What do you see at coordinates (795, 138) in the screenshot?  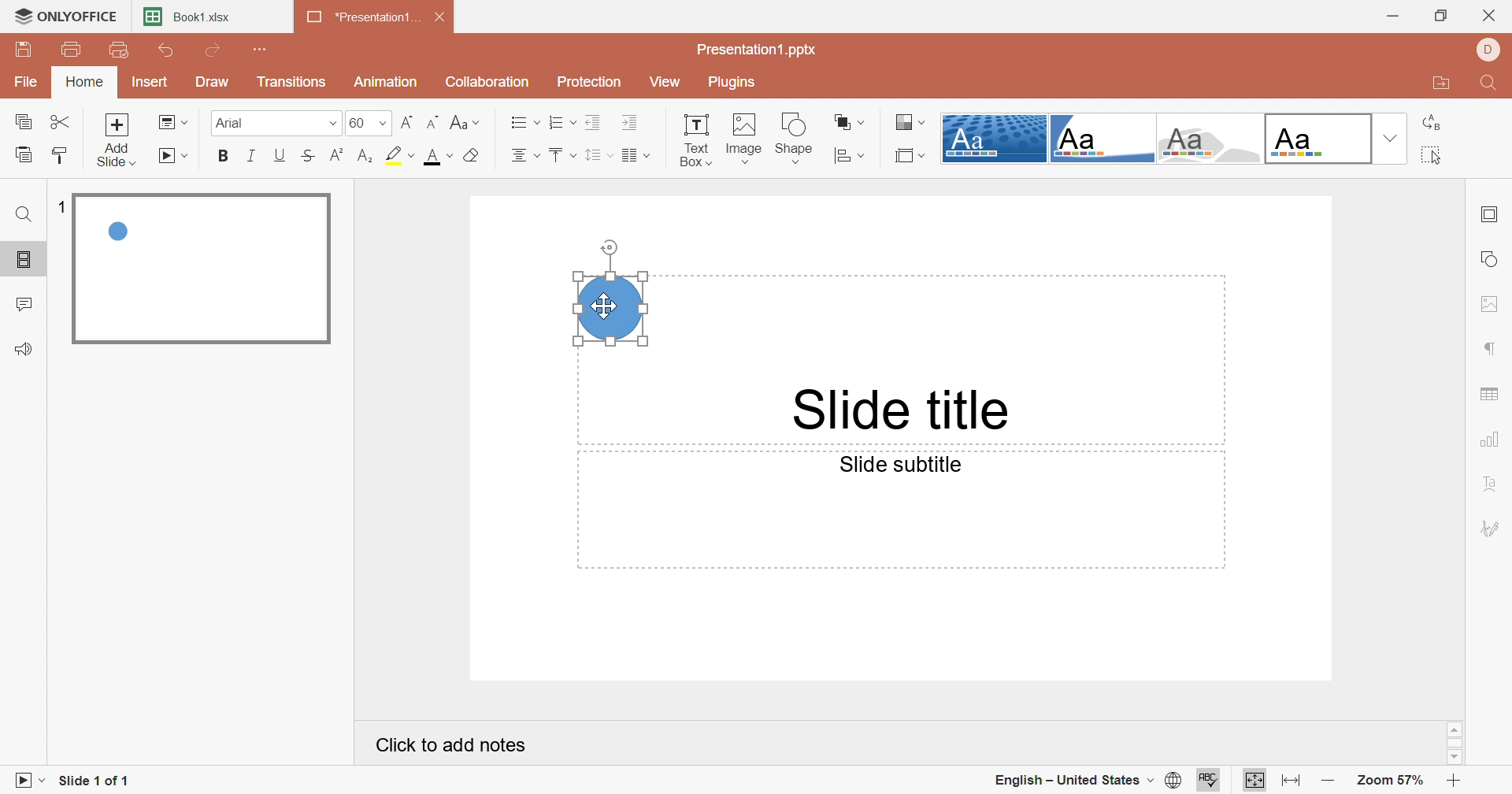 I see `Shape` at bounding box center [795, 138].